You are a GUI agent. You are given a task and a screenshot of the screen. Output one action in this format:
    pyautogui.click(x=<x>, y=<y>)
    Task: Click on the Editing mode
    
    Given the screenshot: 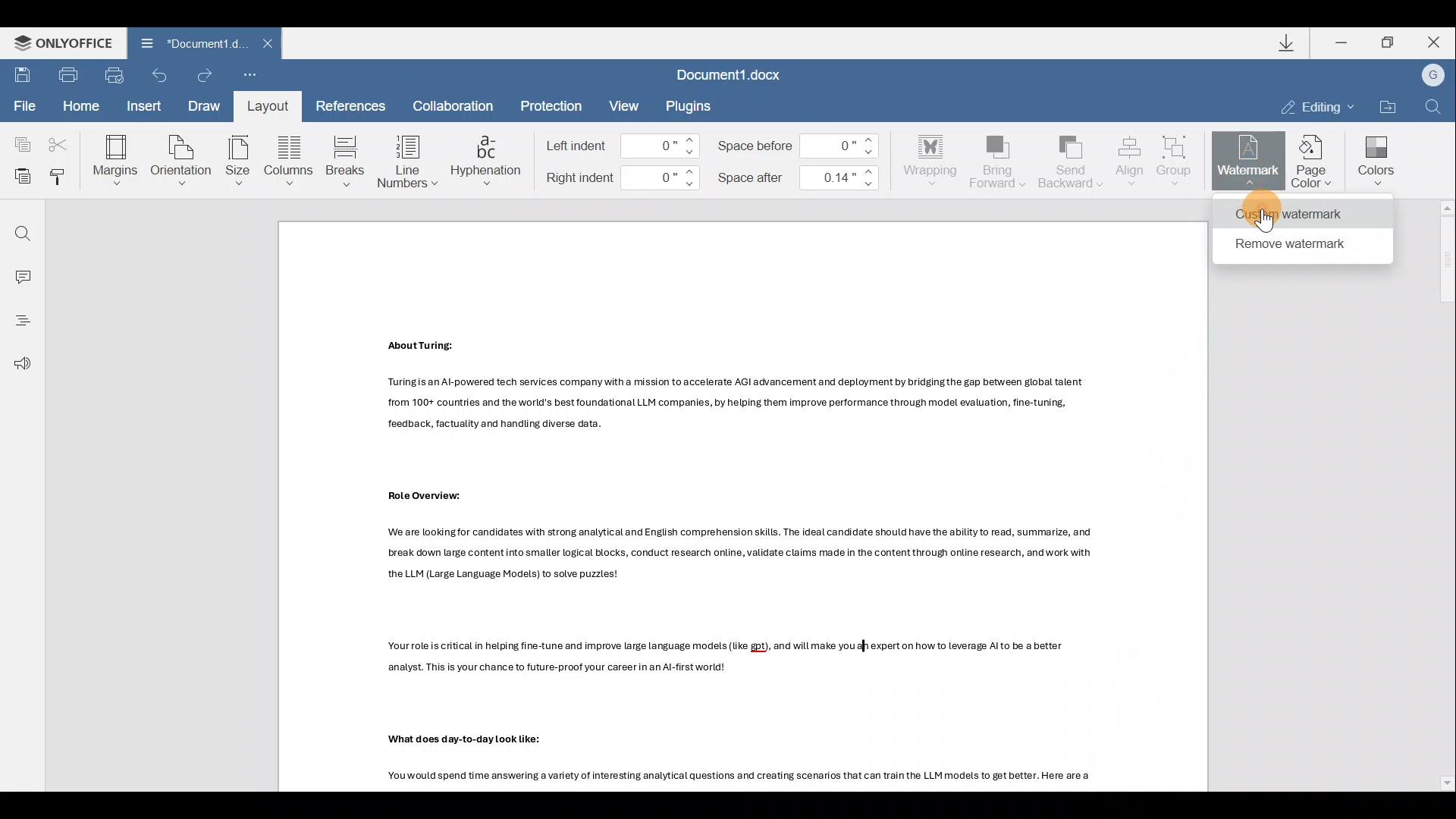 What is the action you would take?
    pyautogui.click(x=1314, y=105)
    